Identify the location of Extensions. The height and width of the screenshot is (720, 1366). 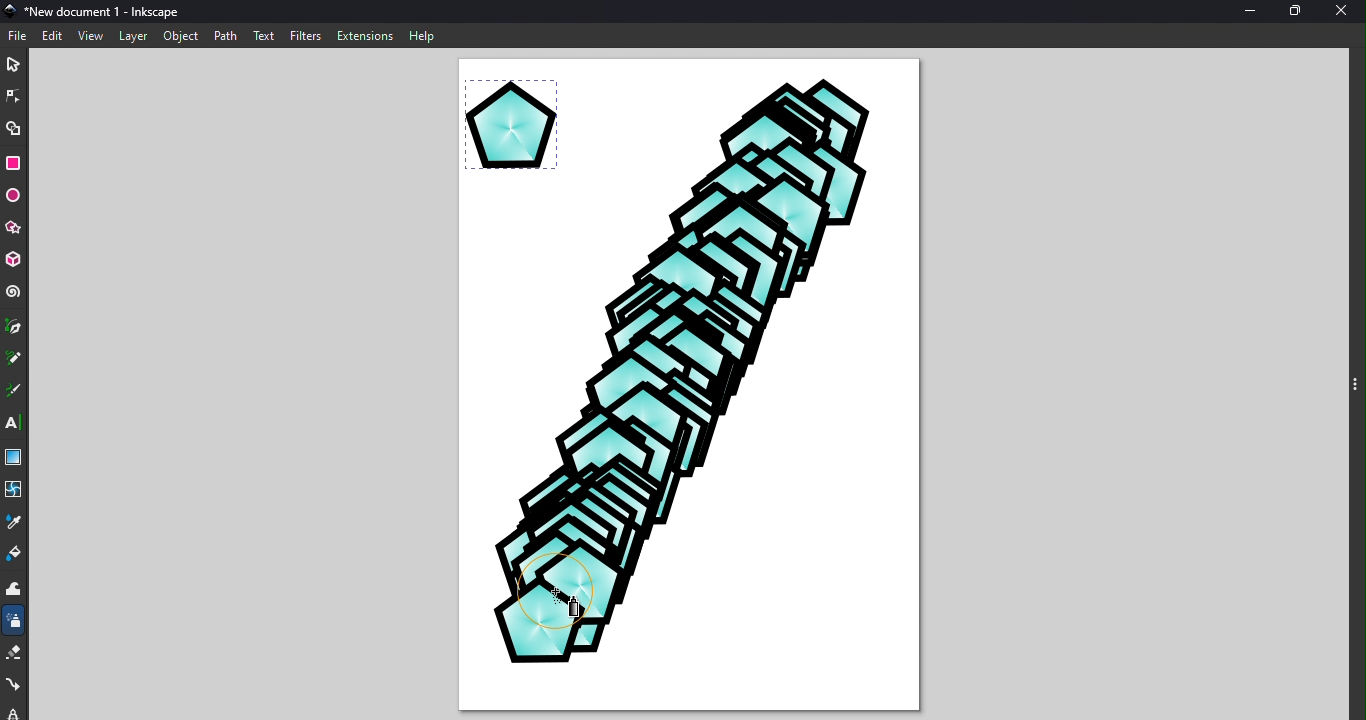
(363, 35).